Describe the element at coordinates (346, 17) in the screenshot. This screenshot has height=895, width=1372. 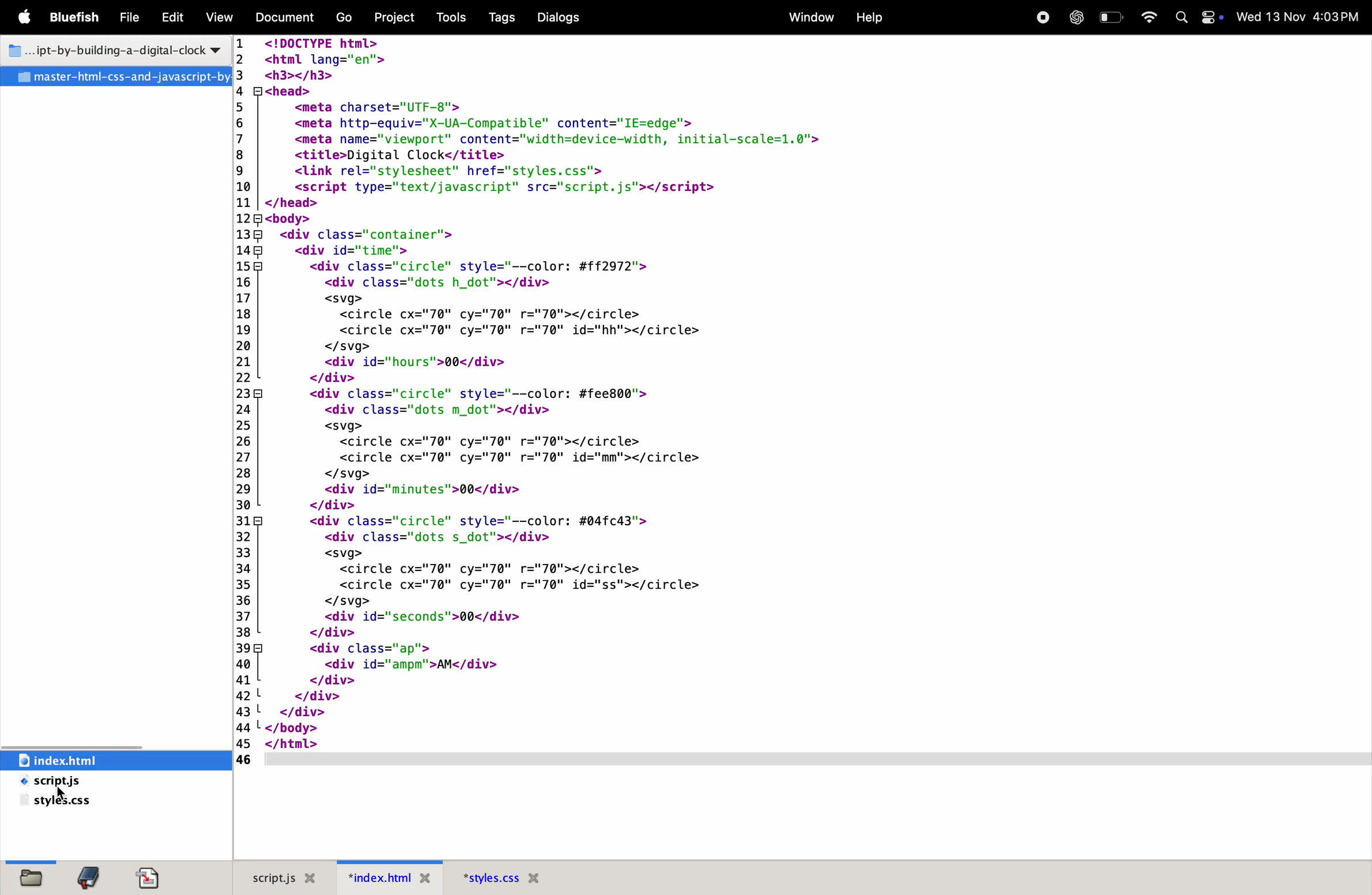
I see `Go` at that location.